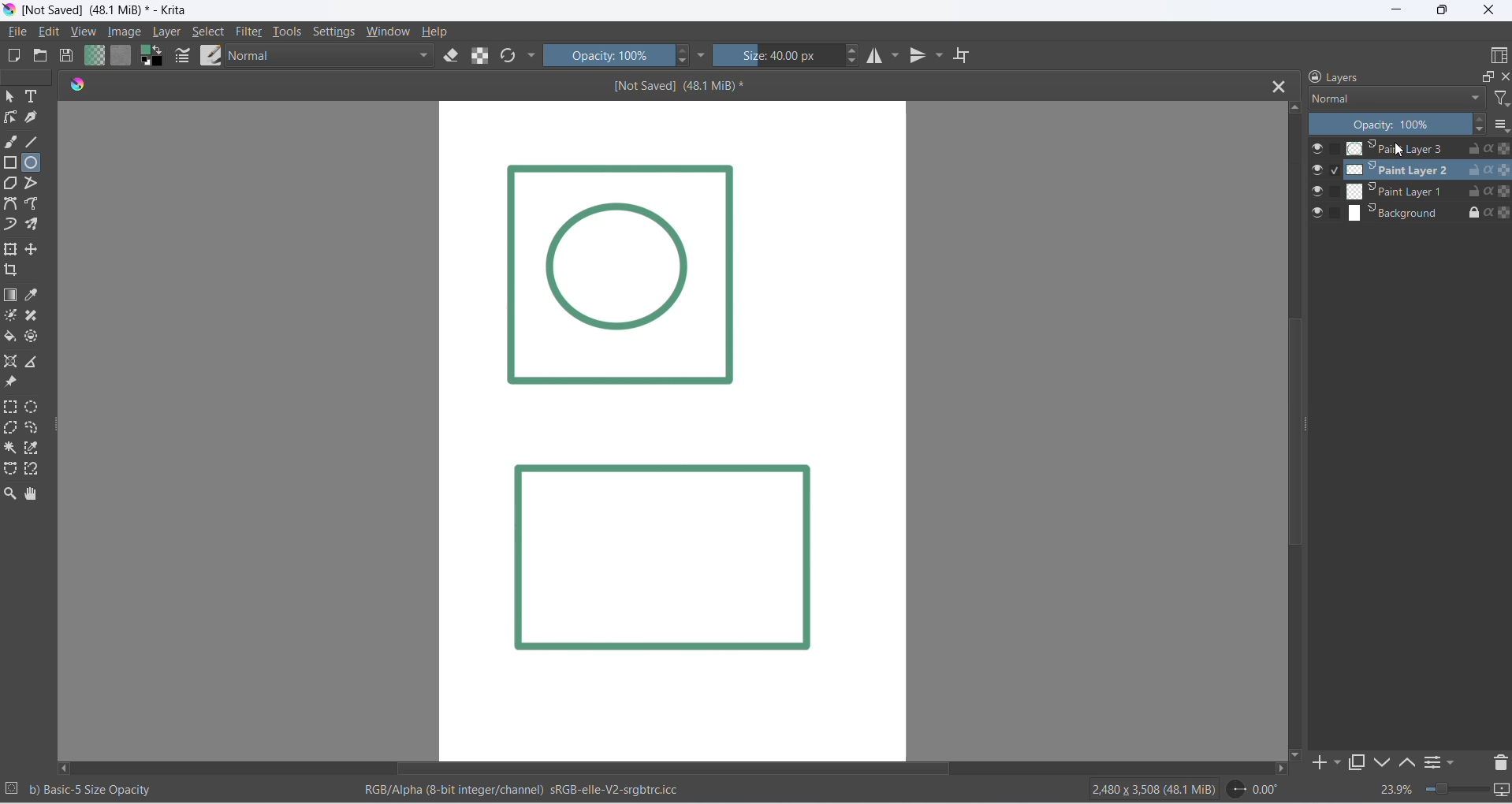 The height and width of the screenshot is (804, 1512). Describe the element at coordinates (390, 32) in the screenshot. I see `window` at that location.